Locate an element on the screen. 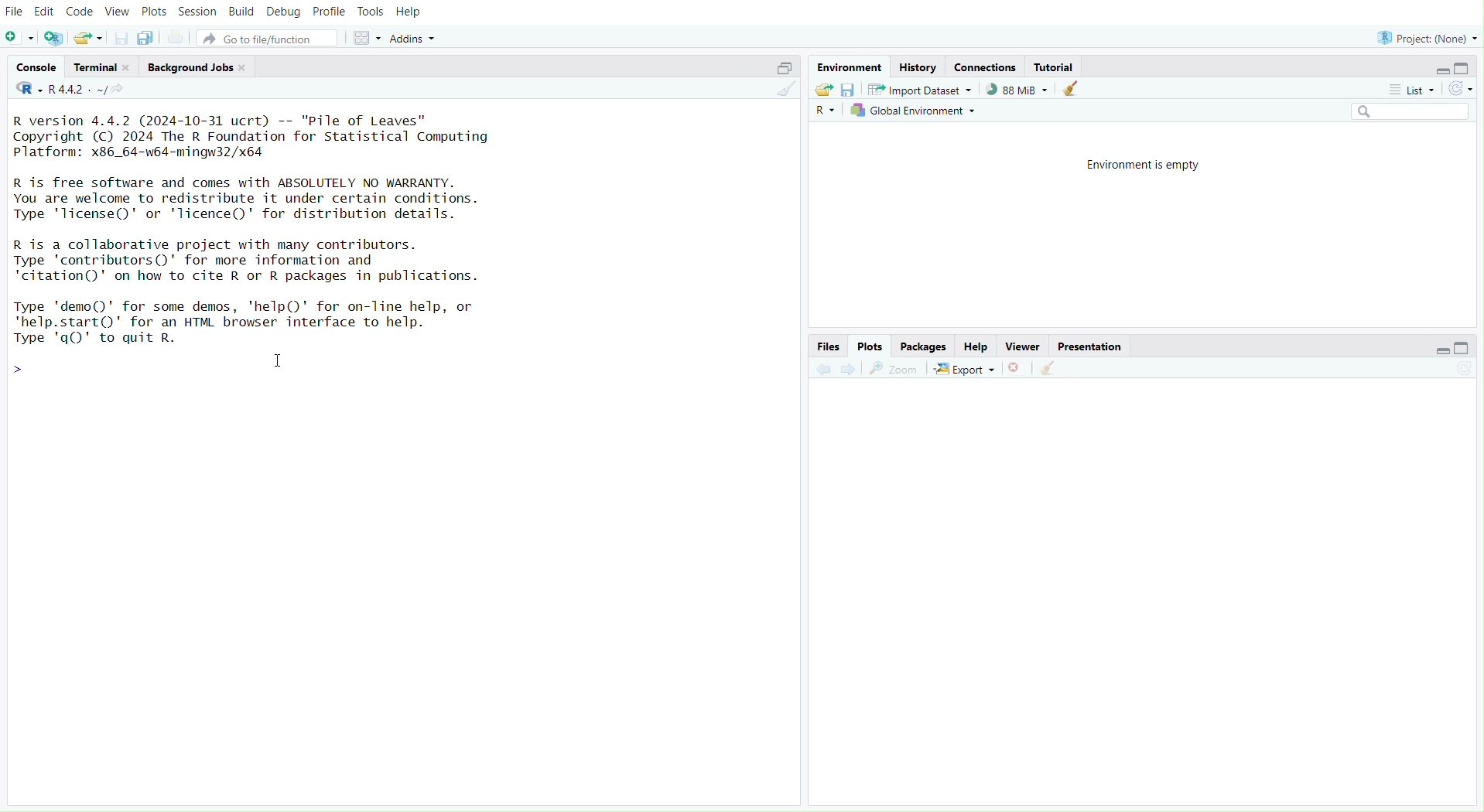  Zoom is located at coordinates (893, 368).